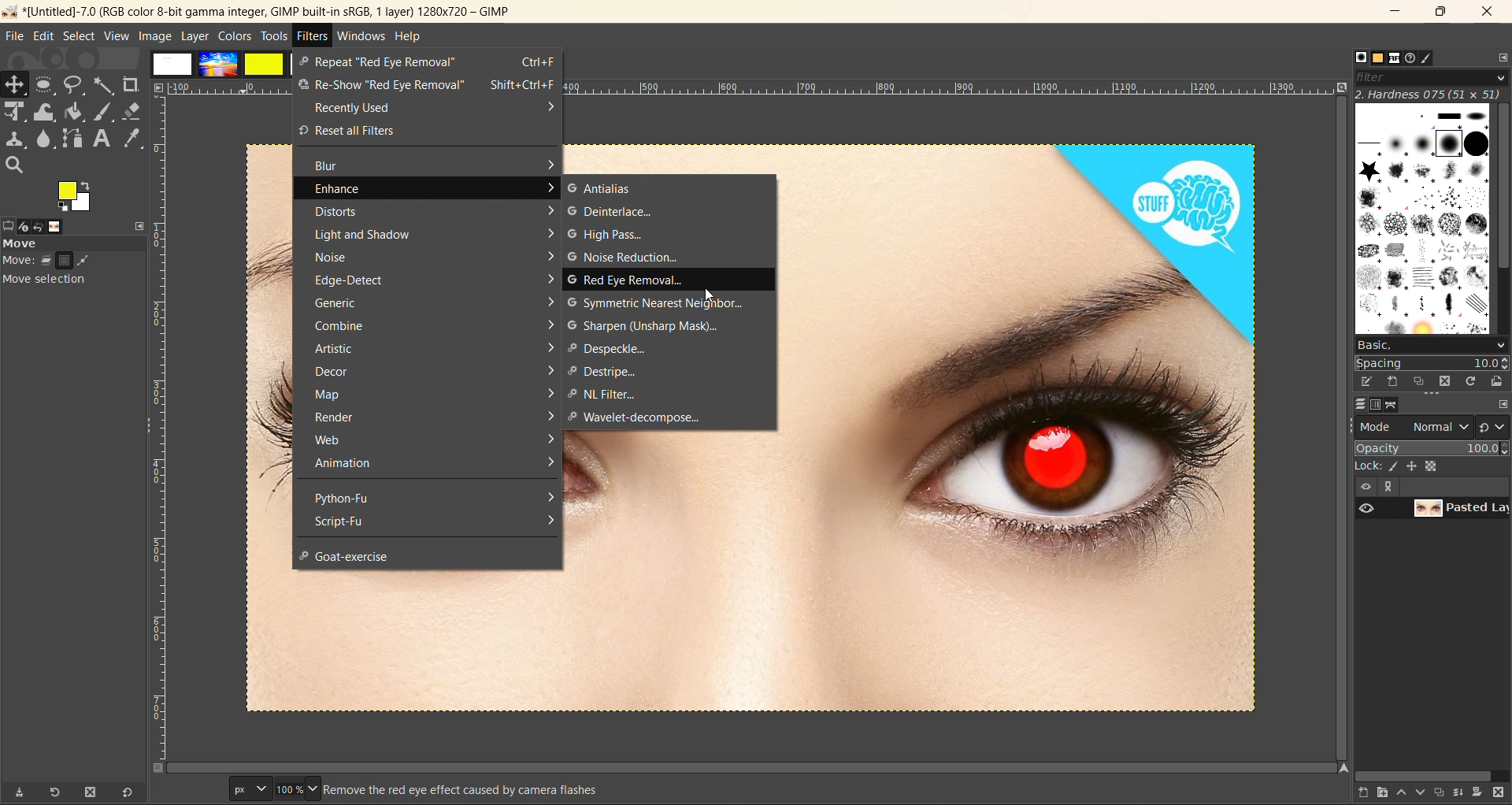  What do you see at coordinates (133, 111) in the screenshot?
I see `erase` at bounding box center [133, 111].